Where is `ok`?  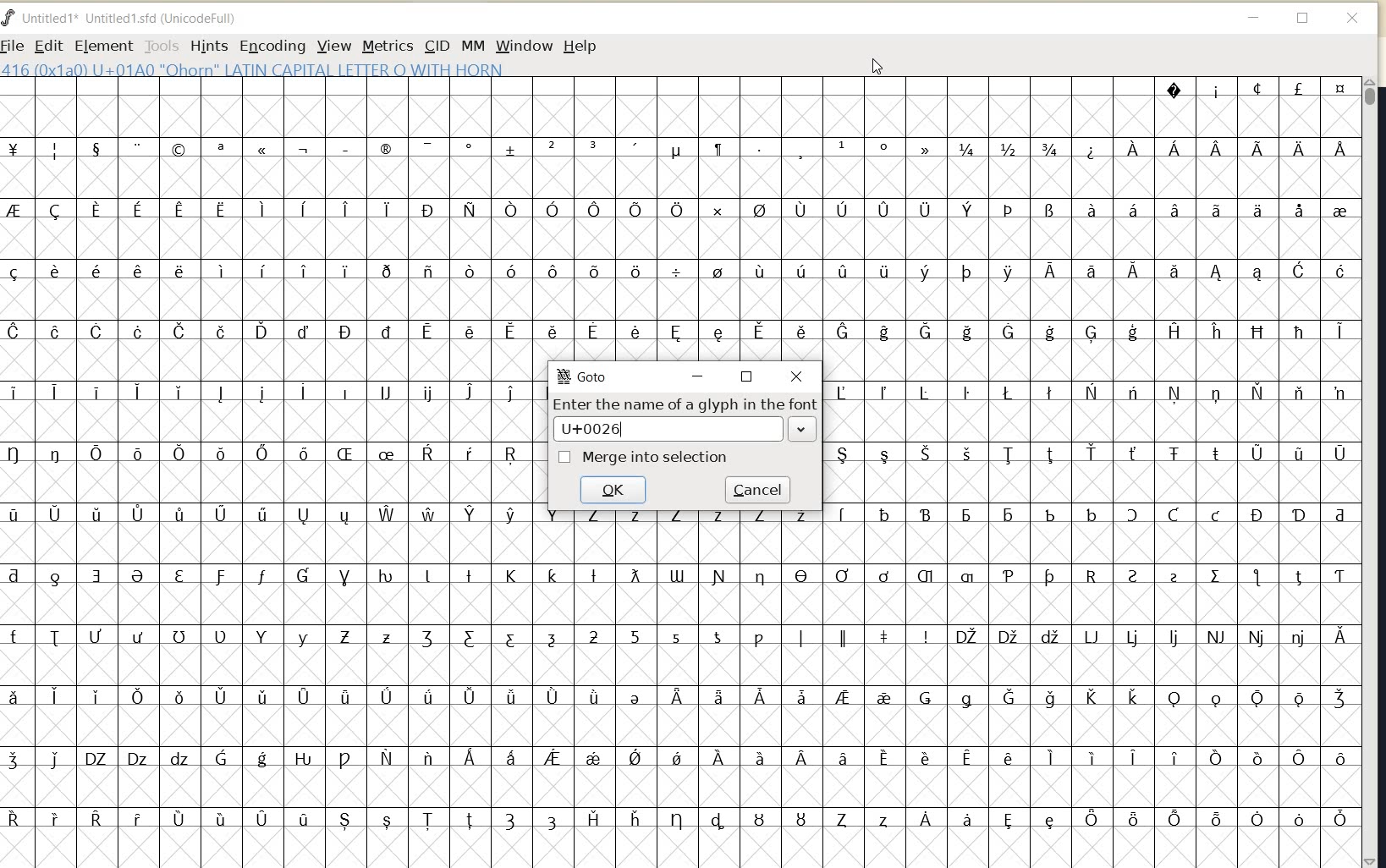
ok is located at coordinates (611, 490).